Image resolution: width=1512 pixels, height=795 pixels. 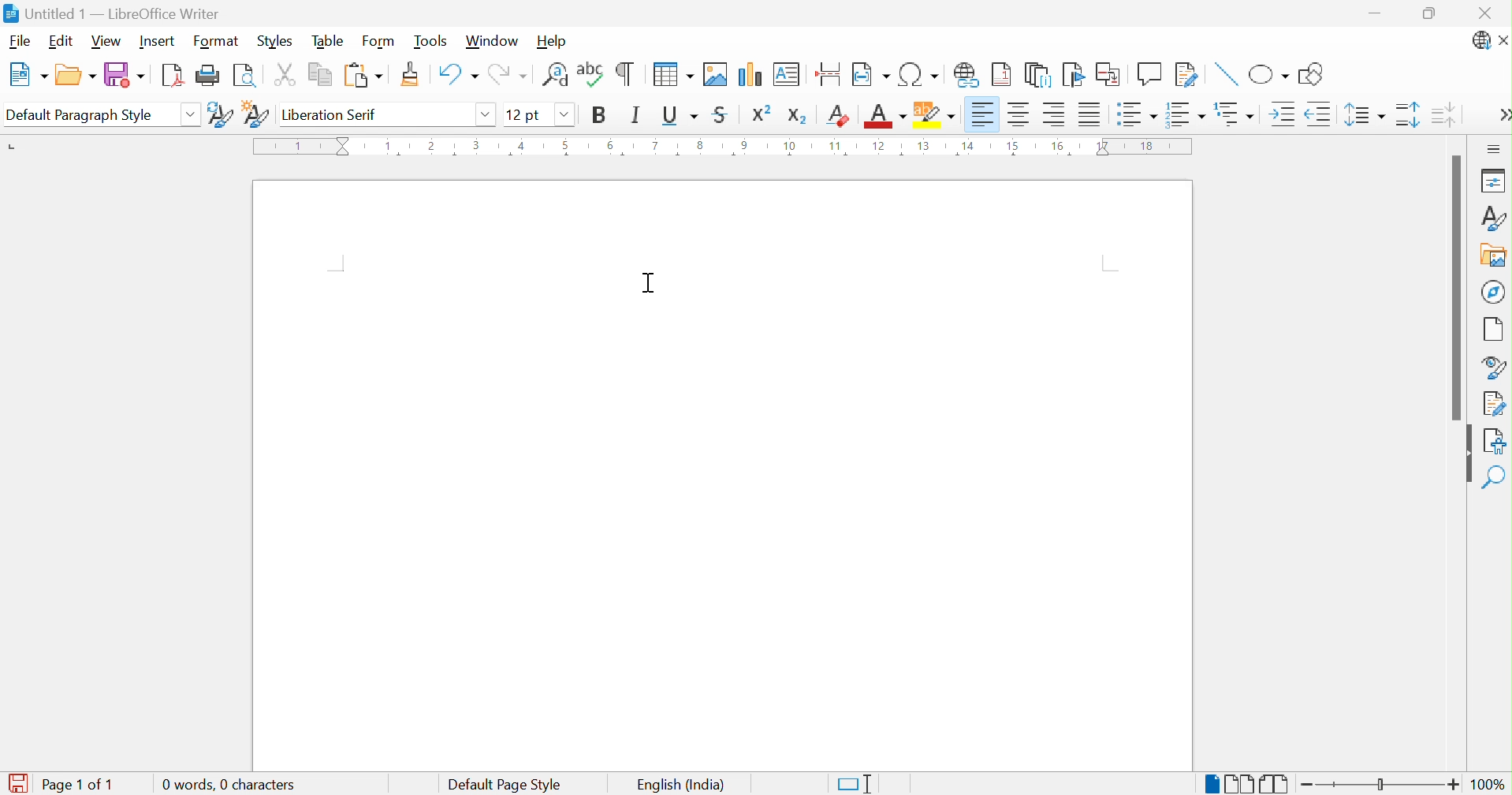 I want to click on Ibeam Cursor, so click(x=653, y=283).